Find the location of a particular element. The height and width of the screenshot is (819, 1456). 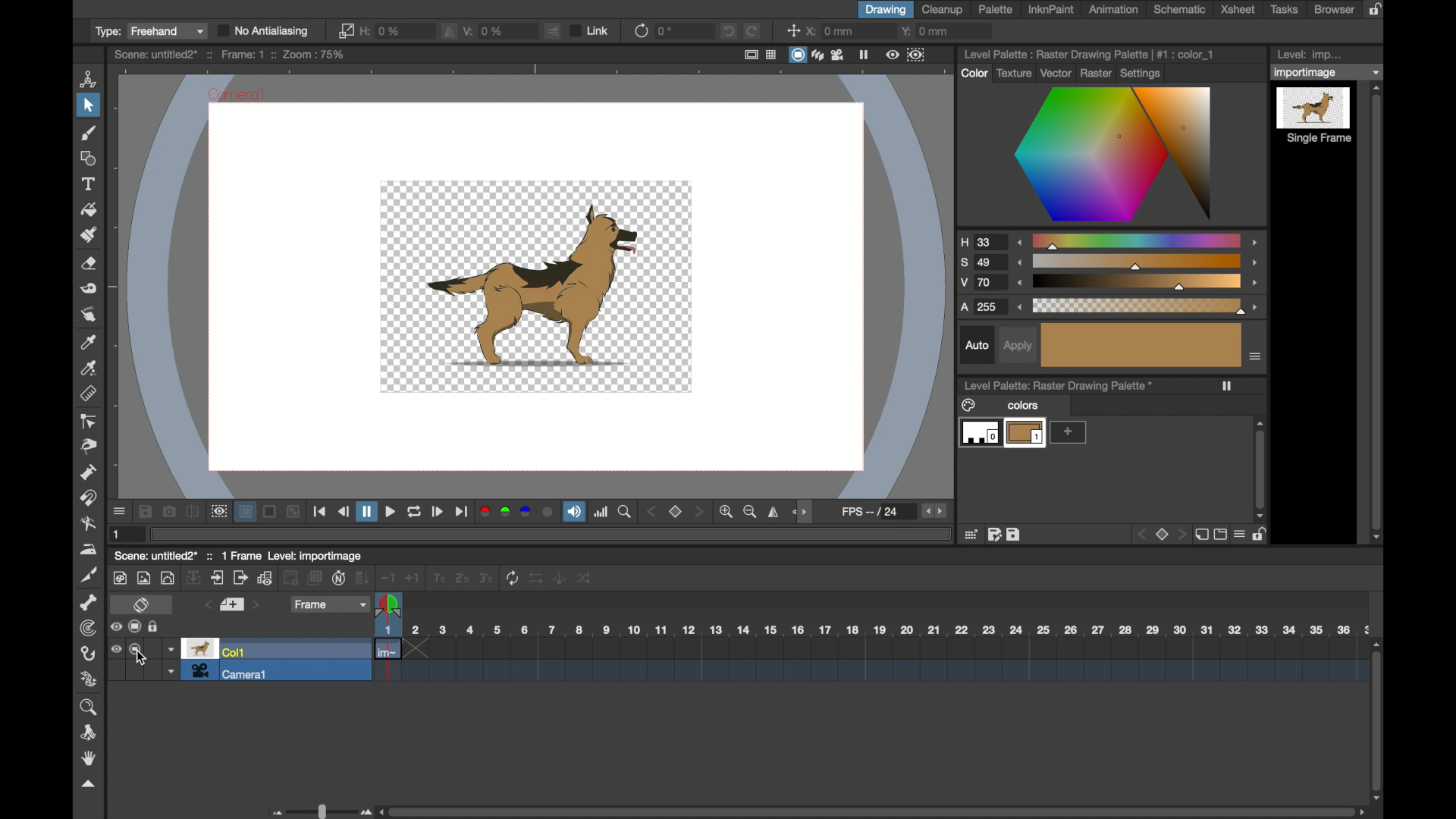

link is located at coordinates (591, 30).